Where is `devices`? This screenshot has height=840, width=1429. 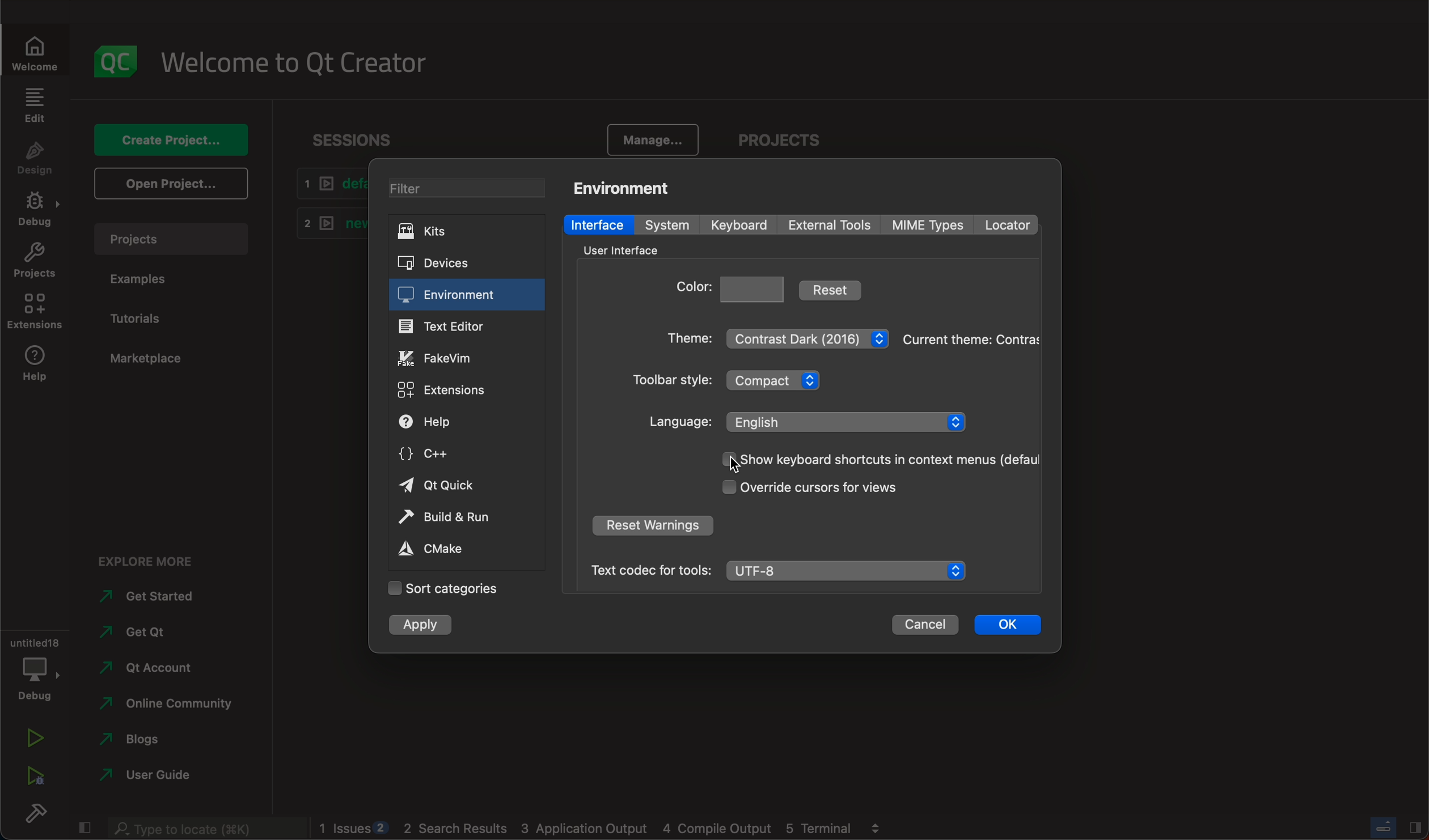
devices is located at coordinates (462, 264).